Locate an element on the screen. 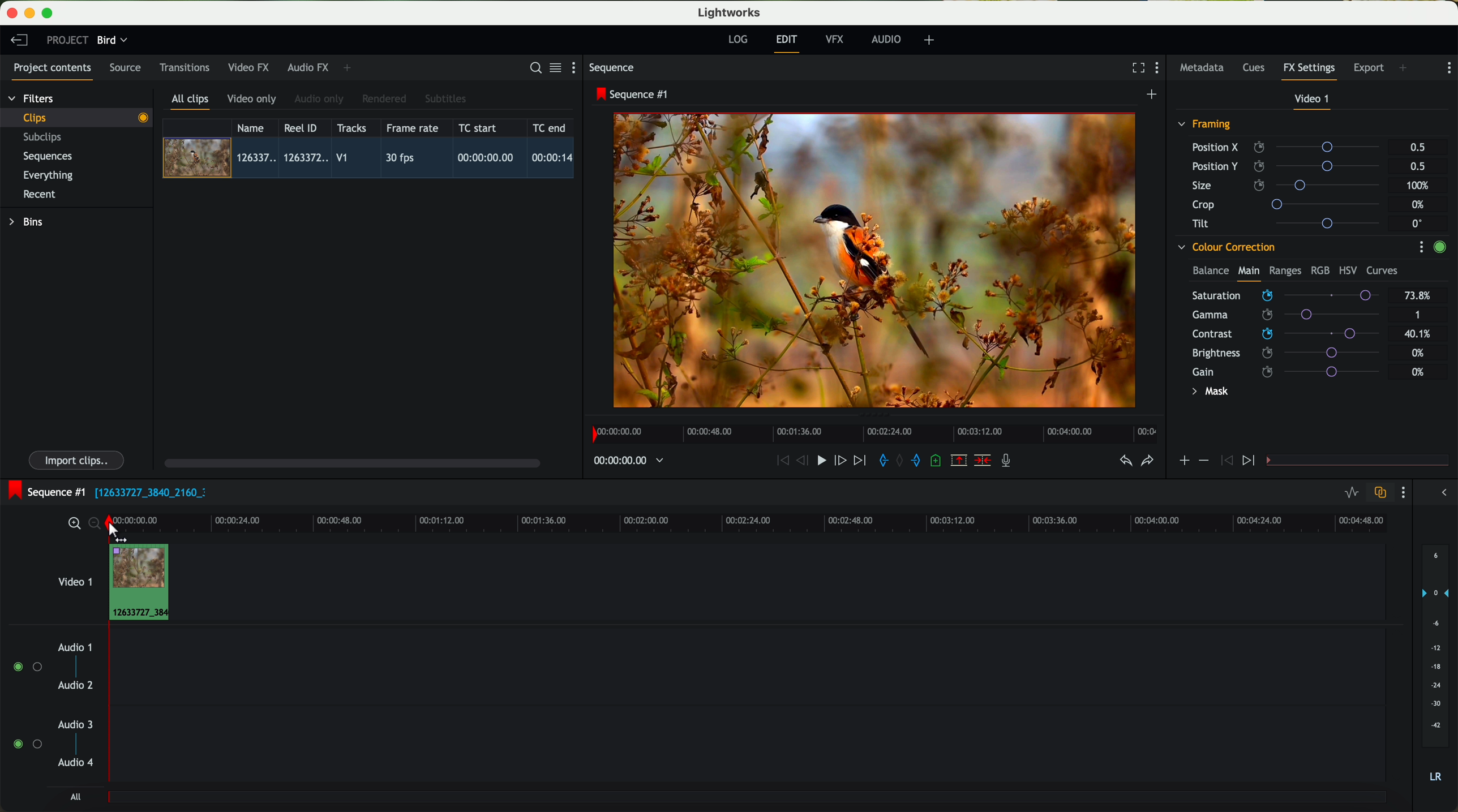 Image resolution: width=1458 pixels, height=812 pixels. leave is located at coordinates (19, 41).